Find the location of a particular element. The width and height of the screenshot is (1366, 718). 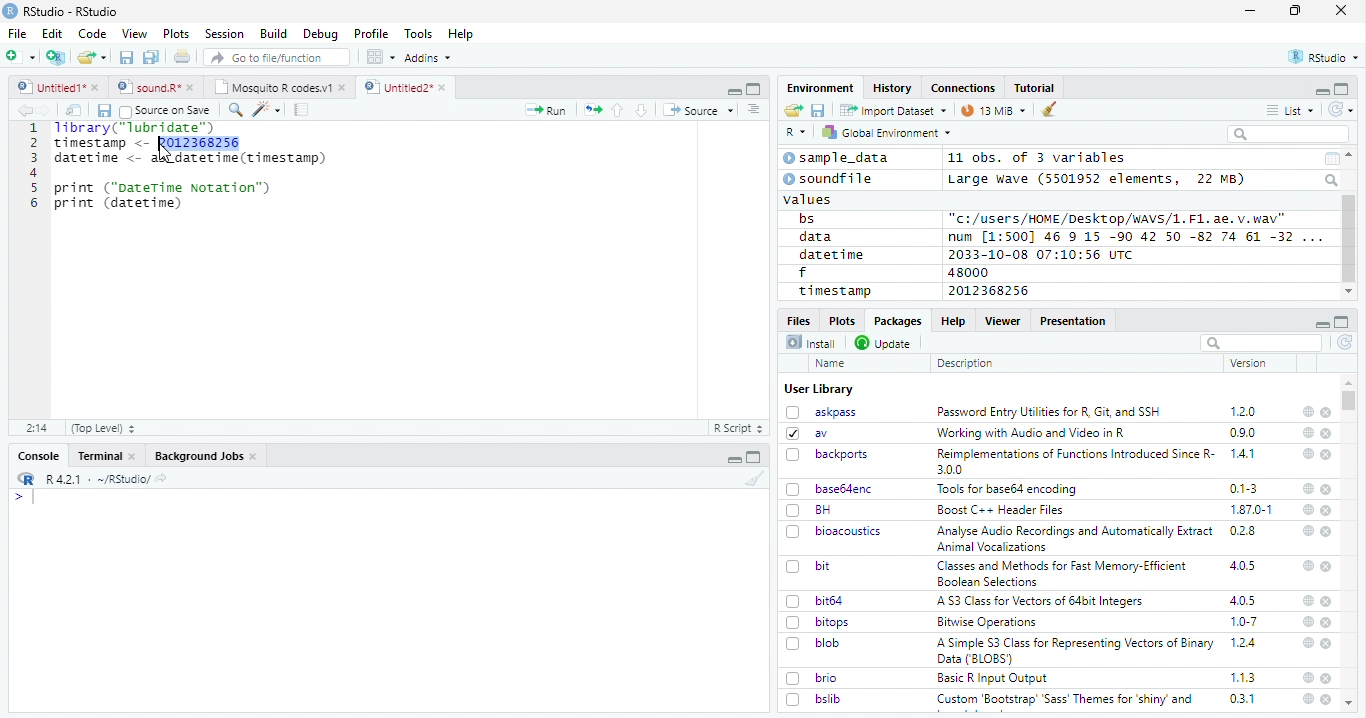

Untitled1* is located at coordinates (57, 88).